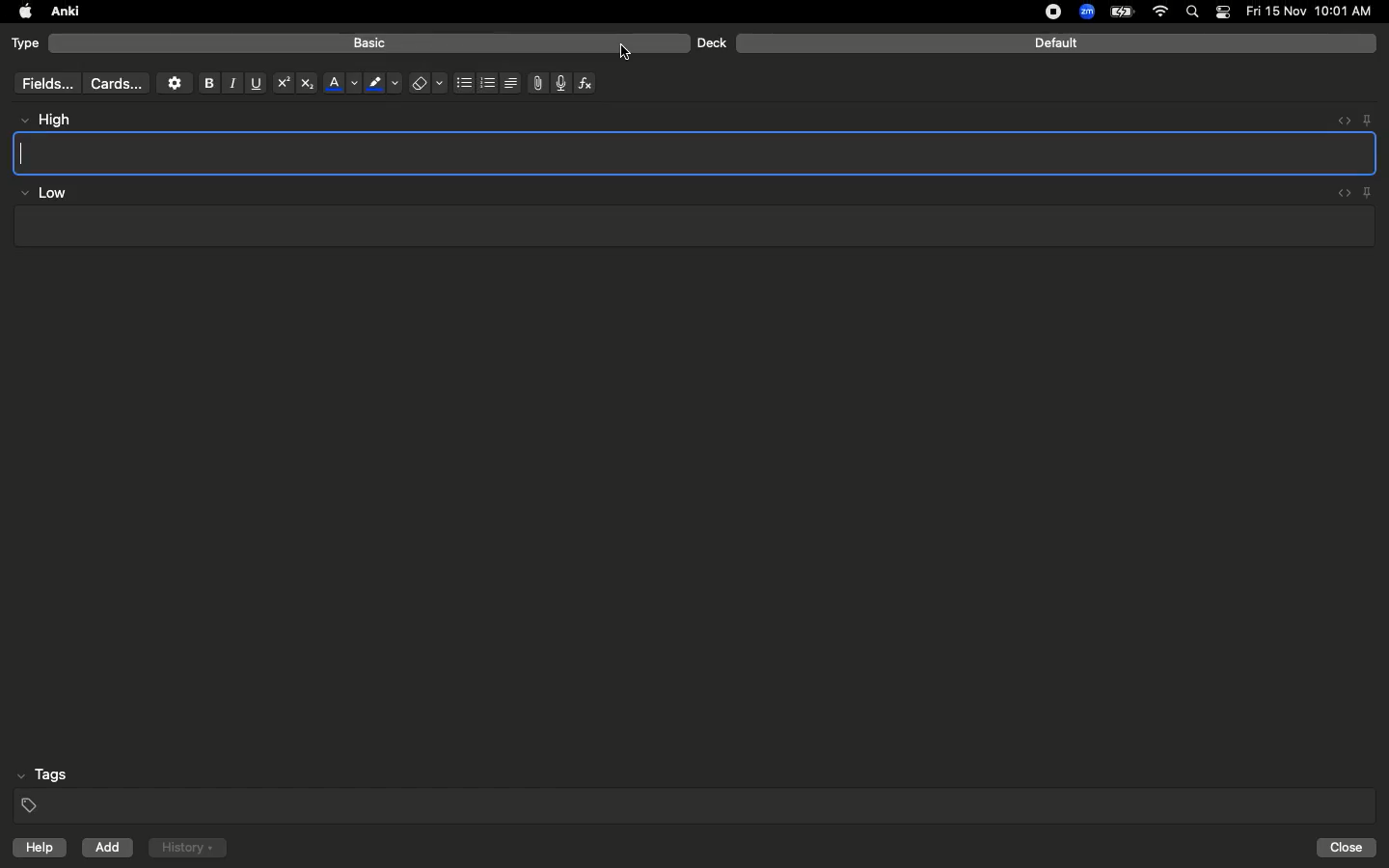  What do you see at coordinates (1195, 13) in the screenshot?
I see `Search` at bounding box center [1195, 13].